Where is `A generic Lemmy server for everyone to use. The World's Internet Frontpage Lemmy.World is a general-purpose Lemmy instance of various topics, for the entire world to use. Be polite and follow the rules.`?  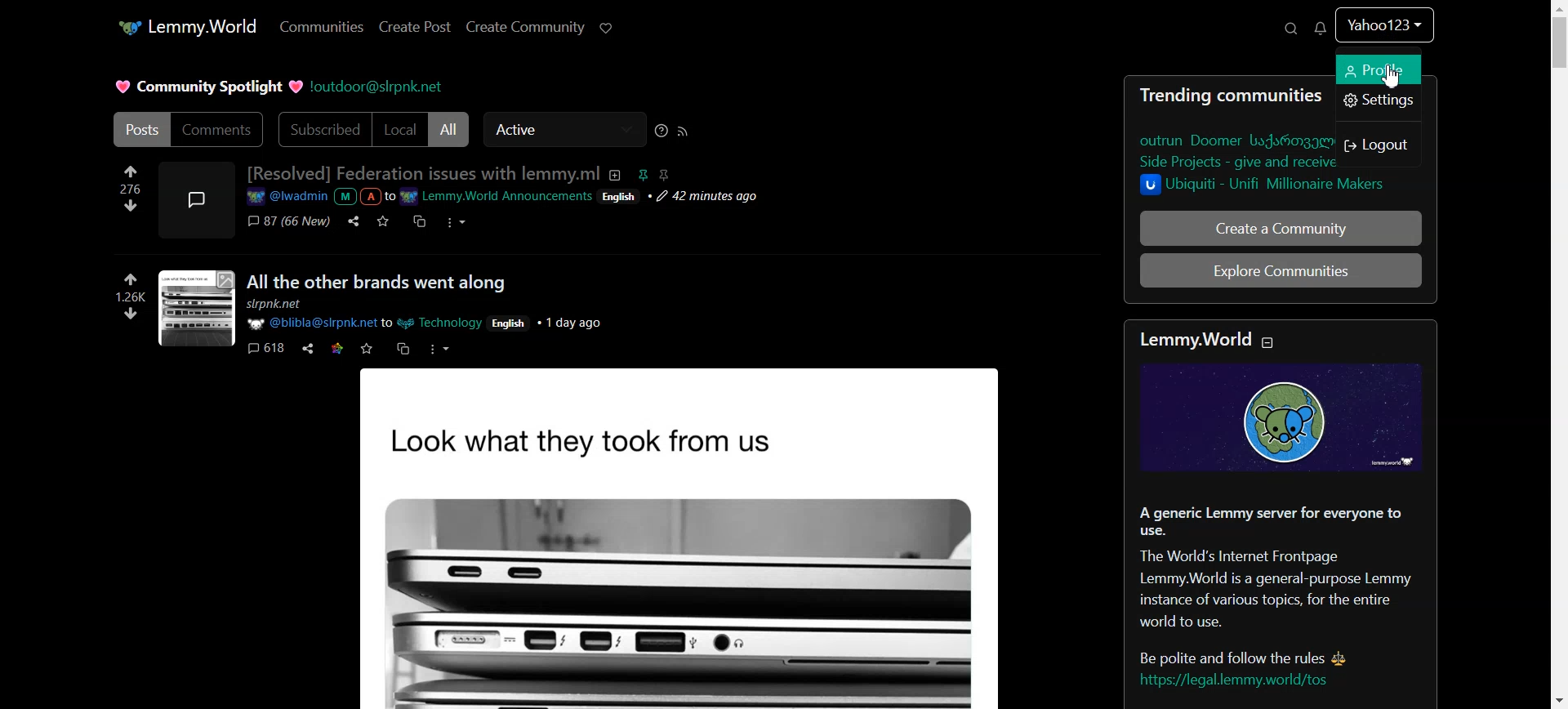 A generic Lemmy server for everyone to use. The World's Internet Frontpage Lemmy.World is a general-purpose Lemmy instance of various topics, for the entire world to use. Be polite and follow the rules. is located at coordinates (1282, 580).